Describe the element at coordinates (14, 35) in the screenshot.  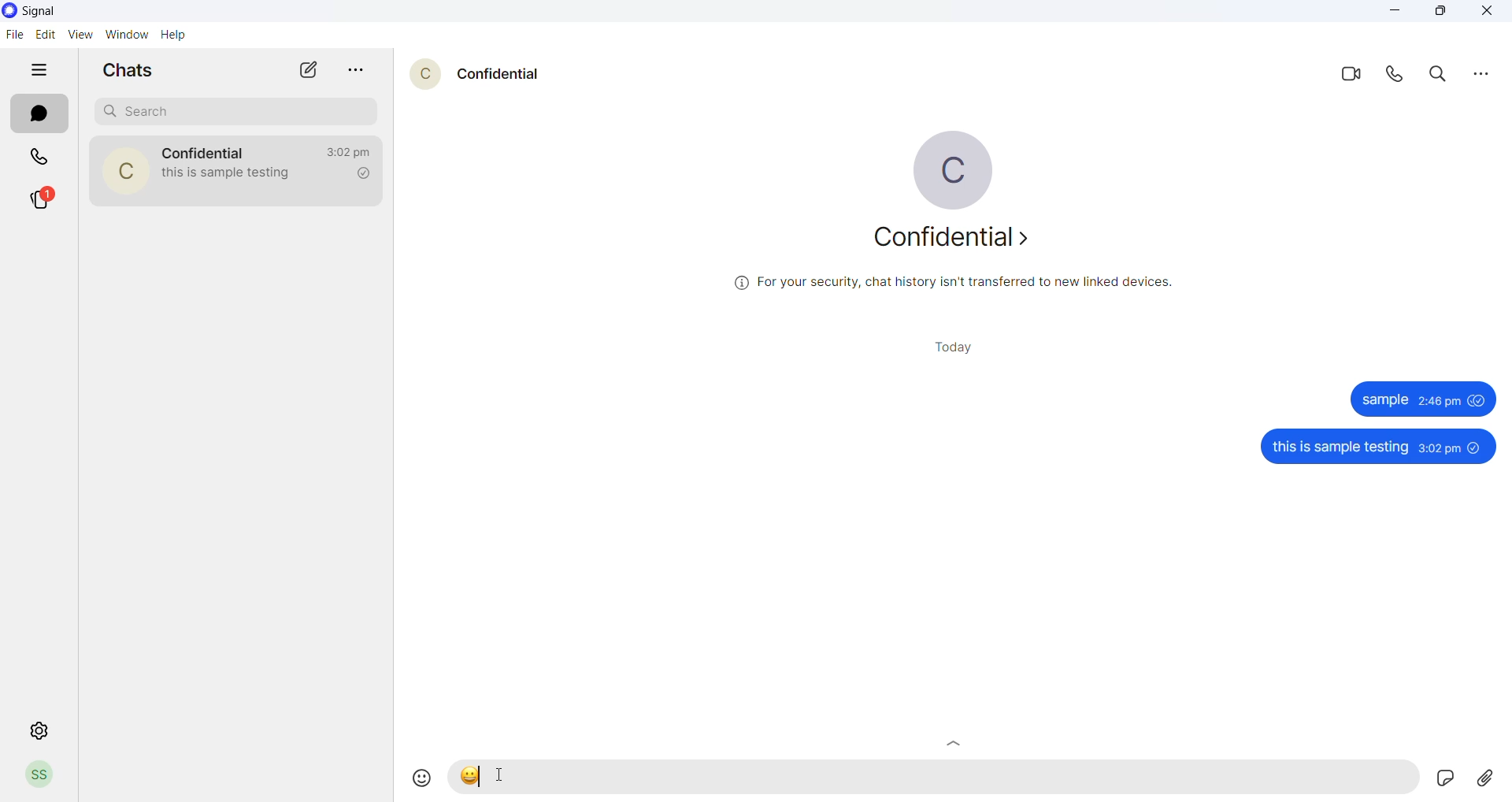
I see `file` at that location.